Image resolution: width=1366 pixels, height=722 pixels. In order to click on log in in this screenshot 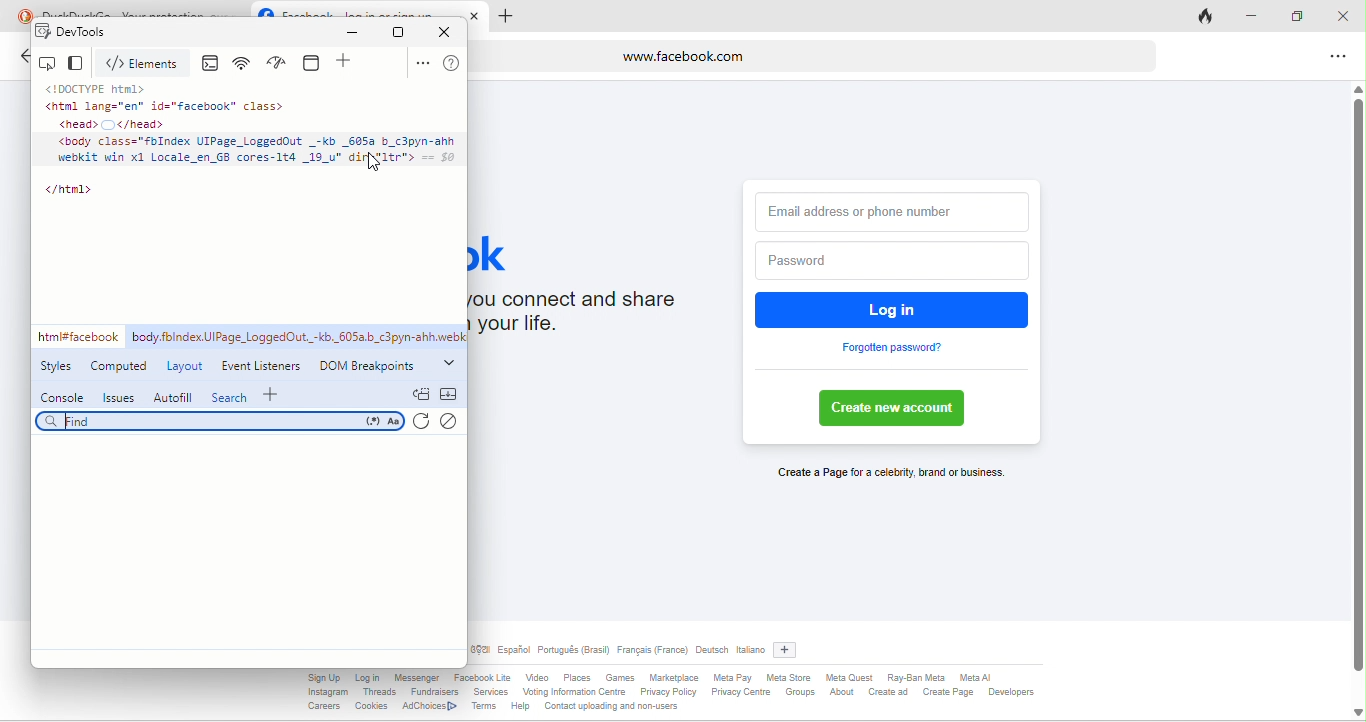, I will do `click(894, 309)`.